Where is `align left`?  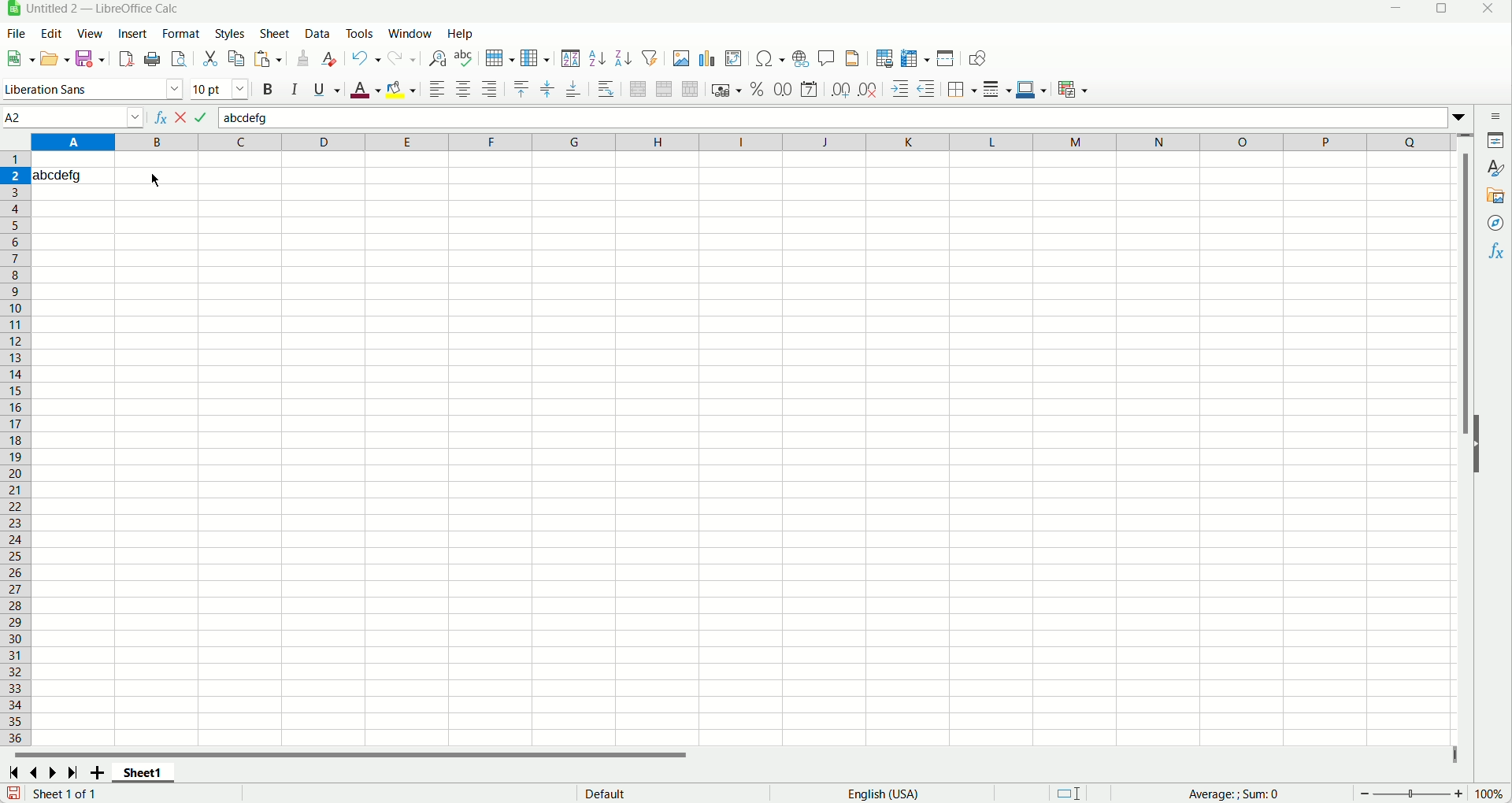
align left is located at coordinates (439, 89).